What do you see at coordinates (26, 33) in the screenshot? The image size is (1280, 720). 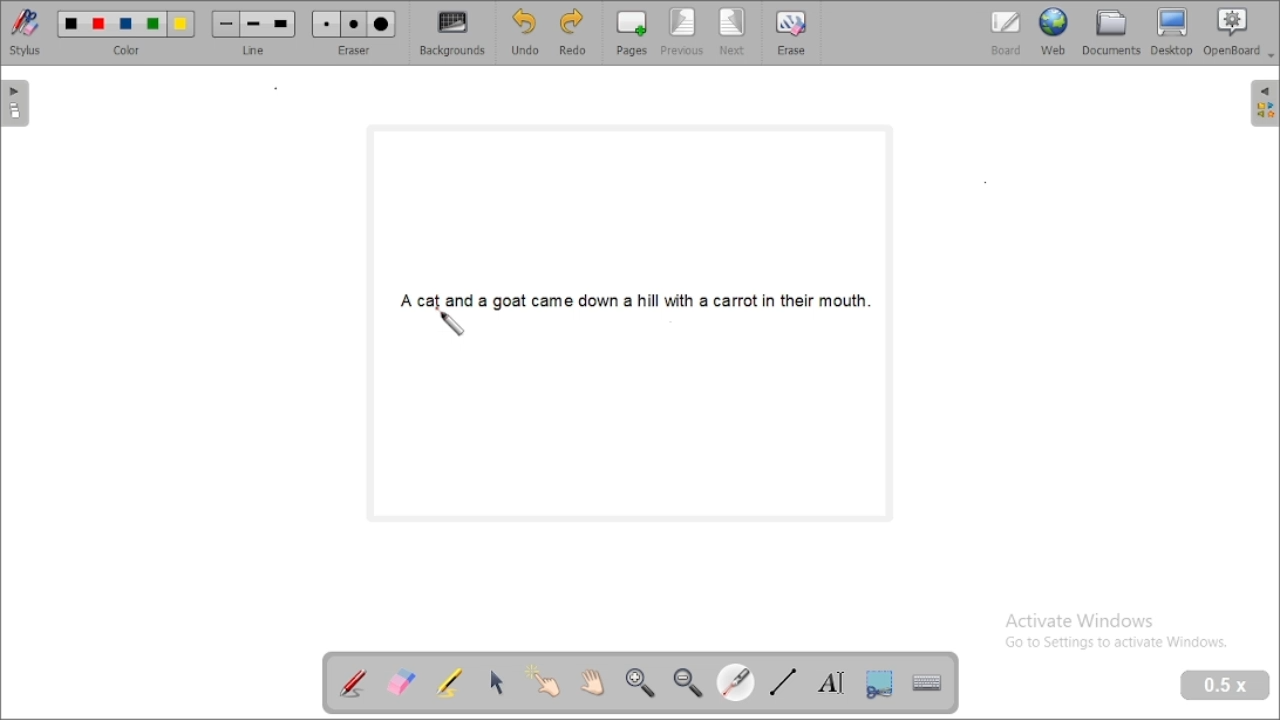 I see `stylus` at bounding box center [26, 33].